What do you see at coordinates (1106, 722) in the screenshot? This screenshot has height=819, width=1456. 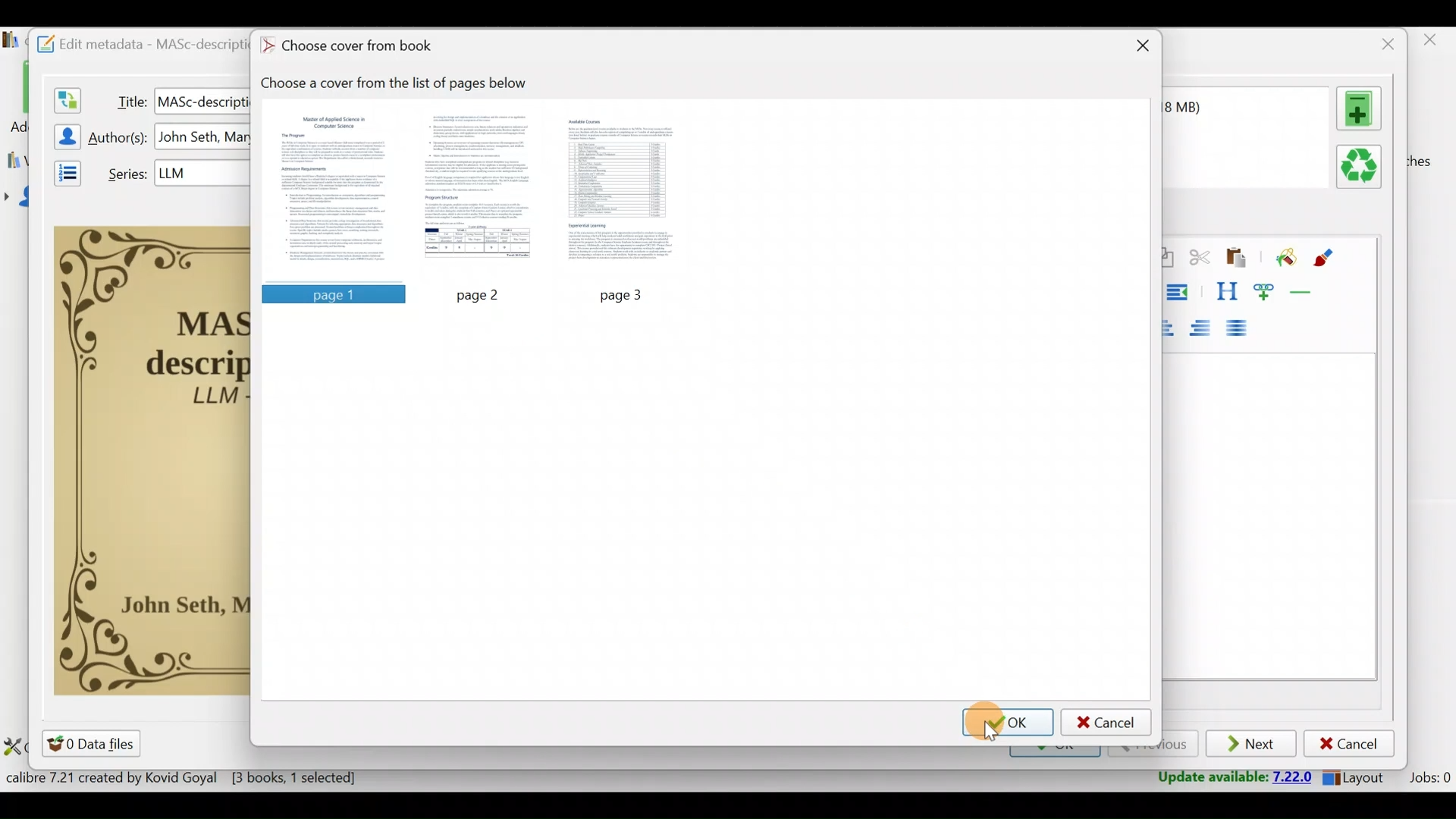 I see `cancel` at bounding box center [1106, 722].